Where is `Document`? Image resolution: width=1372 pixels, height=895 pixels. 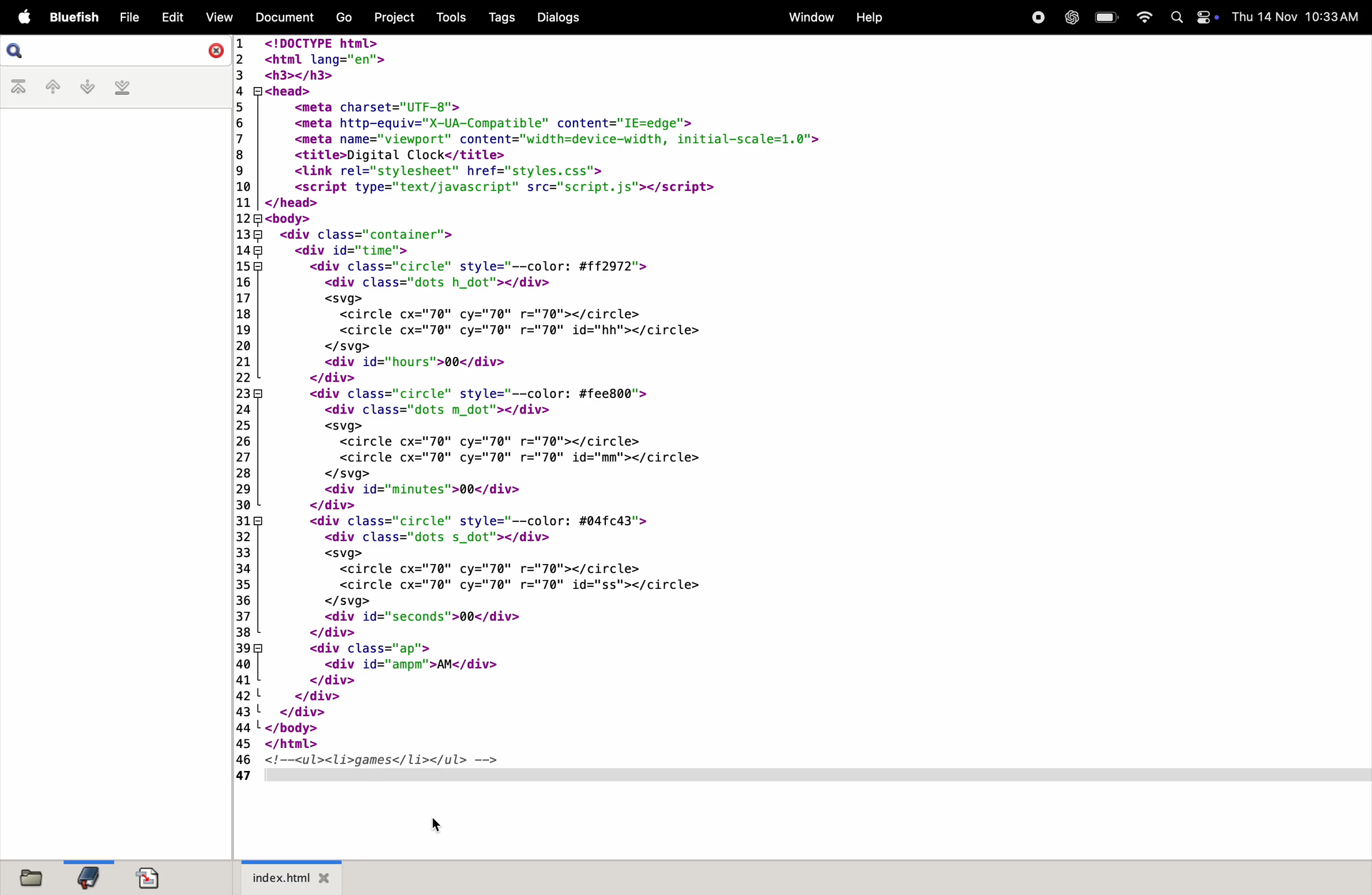 Document is located at coordinates (287, 16).